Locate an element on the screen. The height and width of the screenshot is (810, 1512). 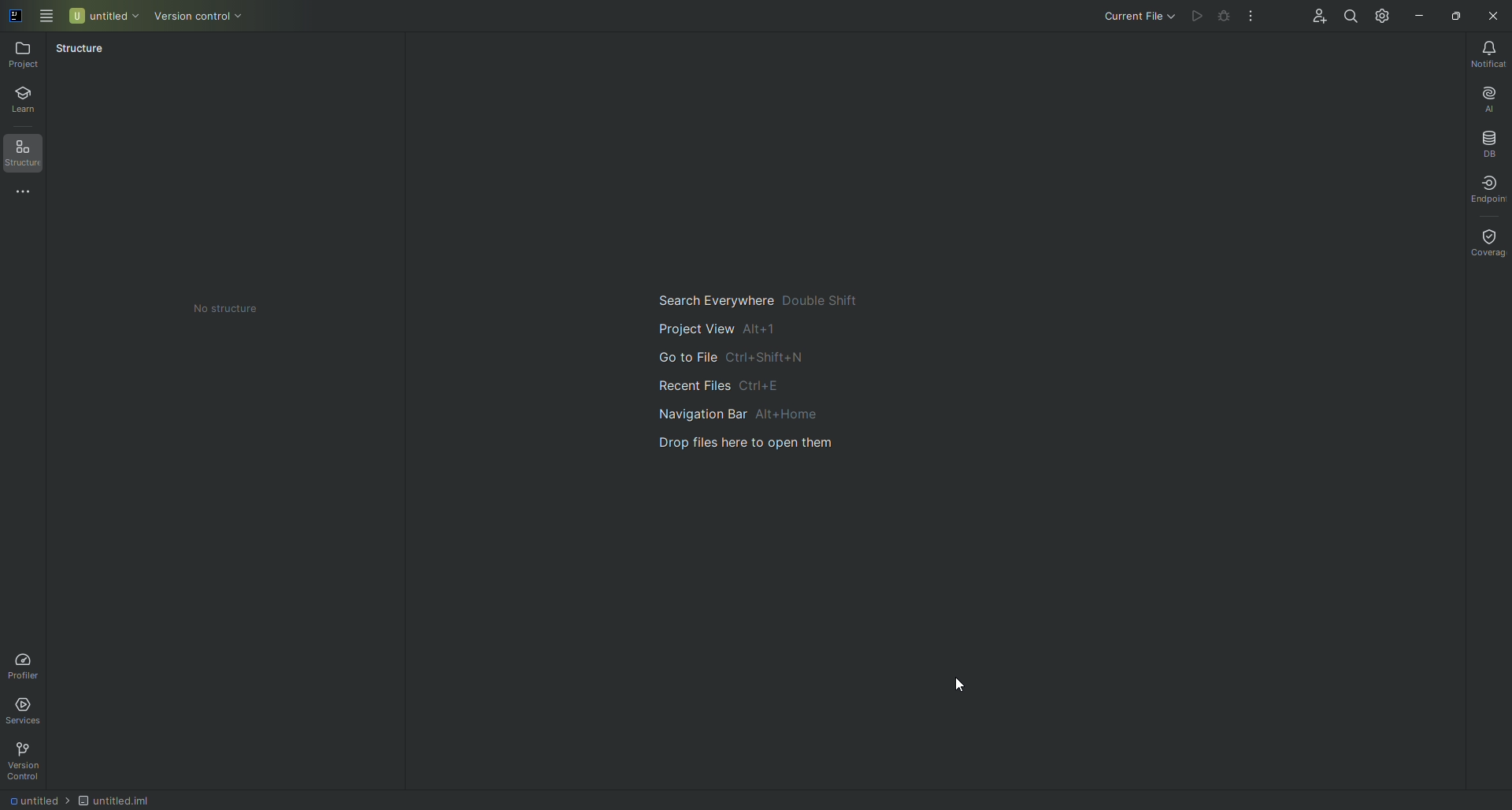
Updates and Settings is located at coordinates (1380, 17).